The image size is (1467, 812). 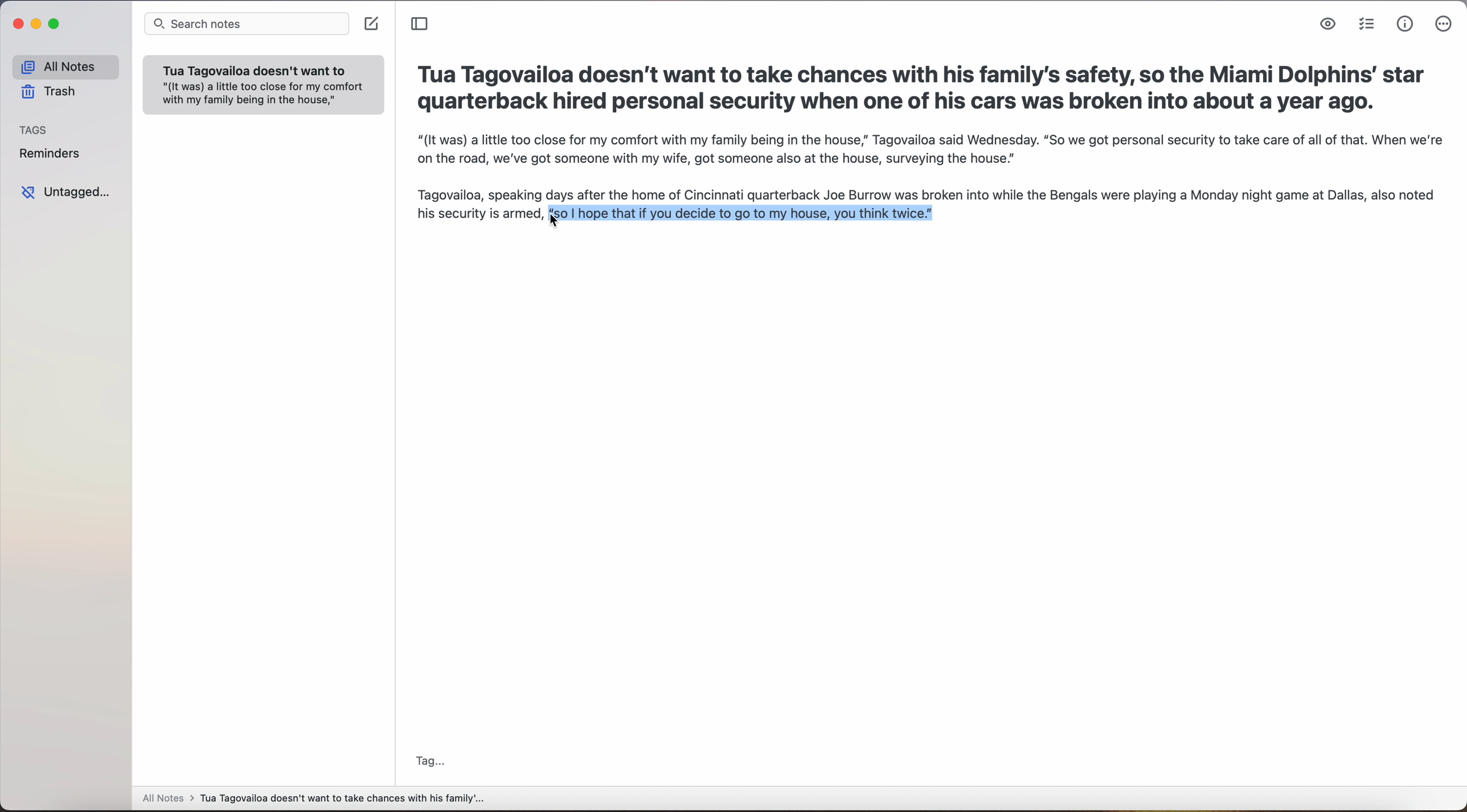 I want to click on untagged, so click(x=68, y=192).